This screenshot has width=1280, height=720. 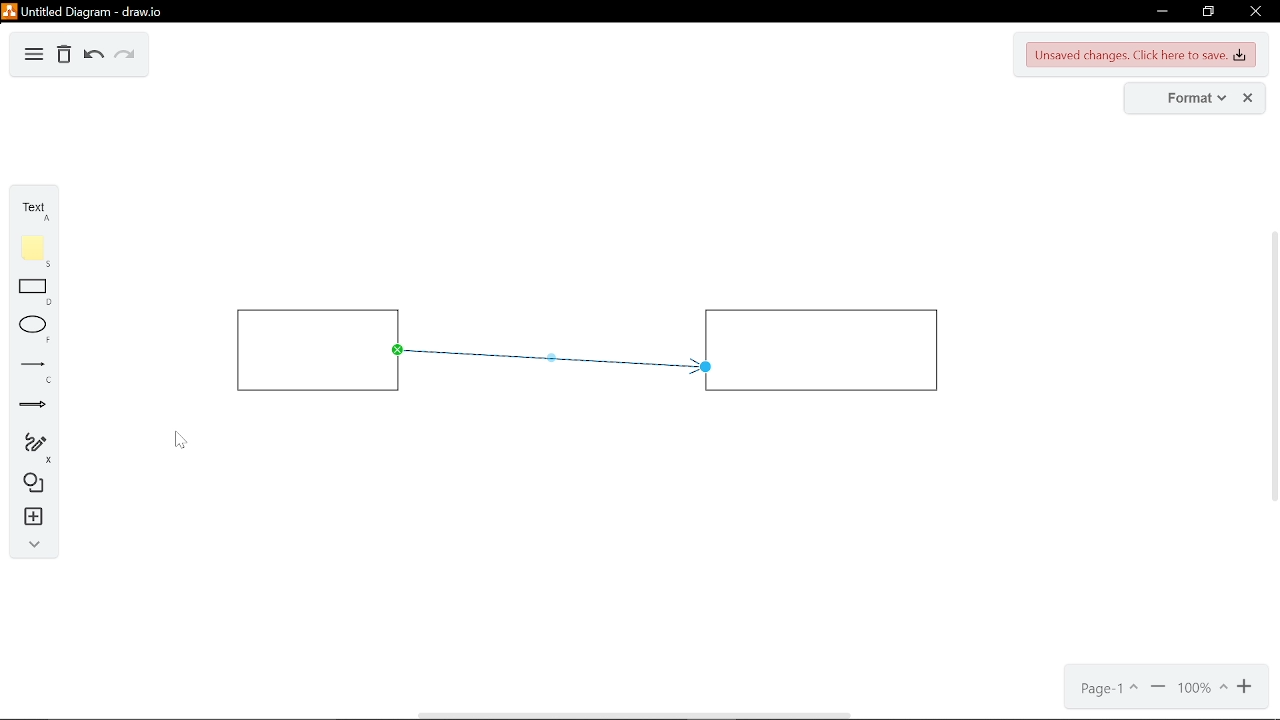 What do you see at coordinates (1272, 367) in the screenshot?
I see `vertical scrollbar` at bounding box center [1272, 367].